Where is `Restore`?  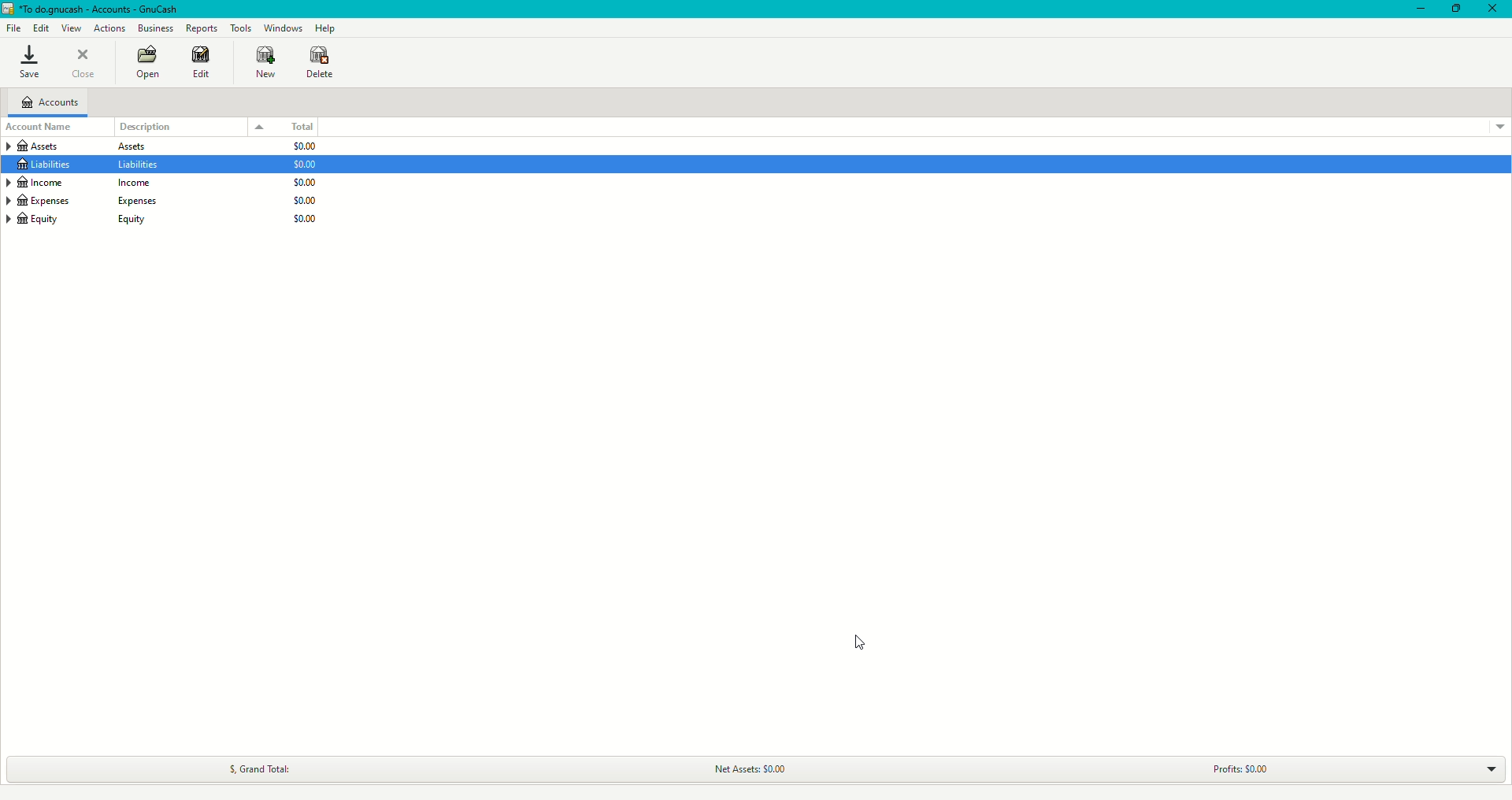 Restore is located at coordinates (1455, 9).